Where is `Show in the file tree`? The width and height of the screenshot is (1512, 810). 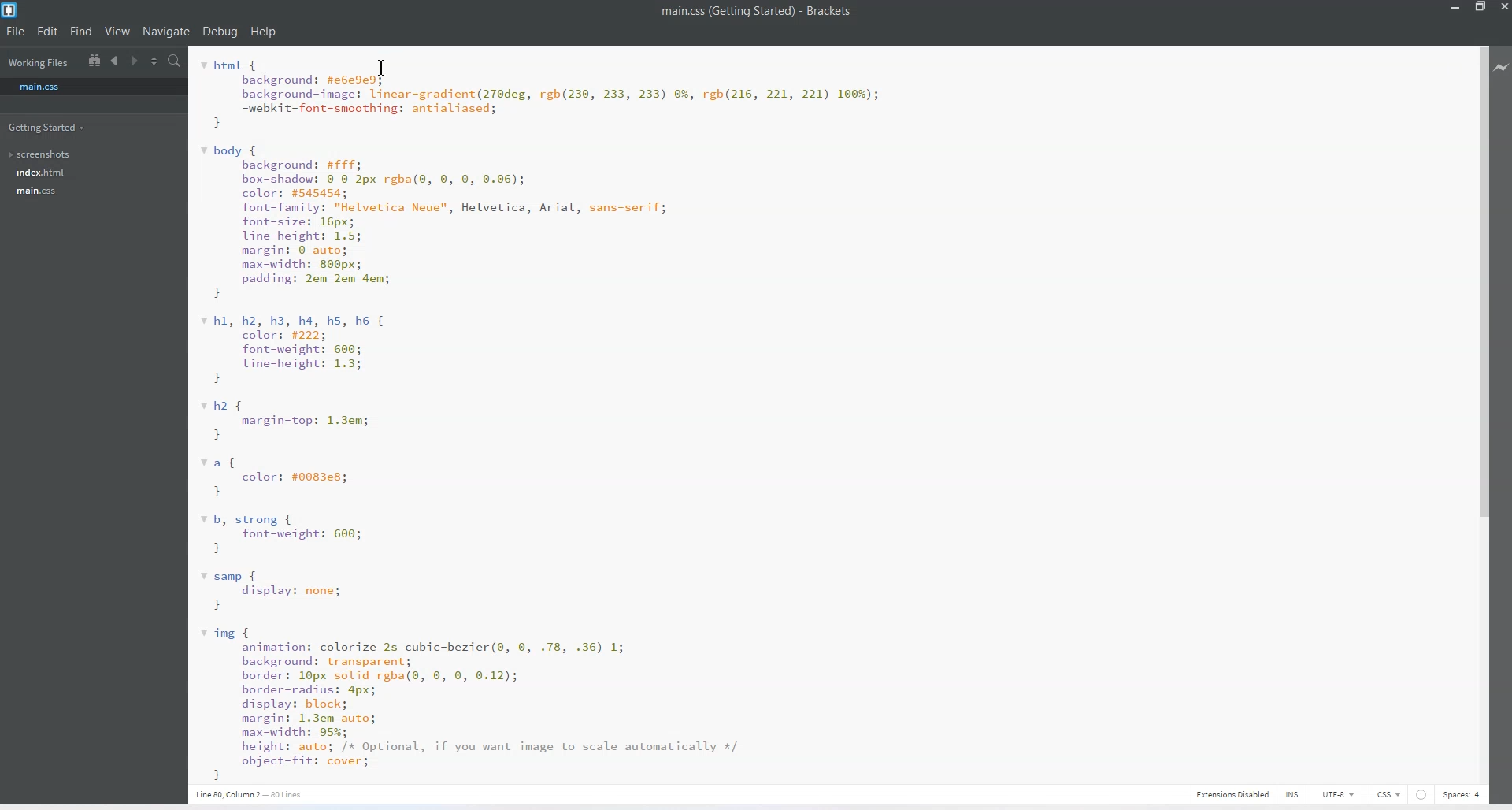
Show in the file tree is located at coordinates (95, 60).